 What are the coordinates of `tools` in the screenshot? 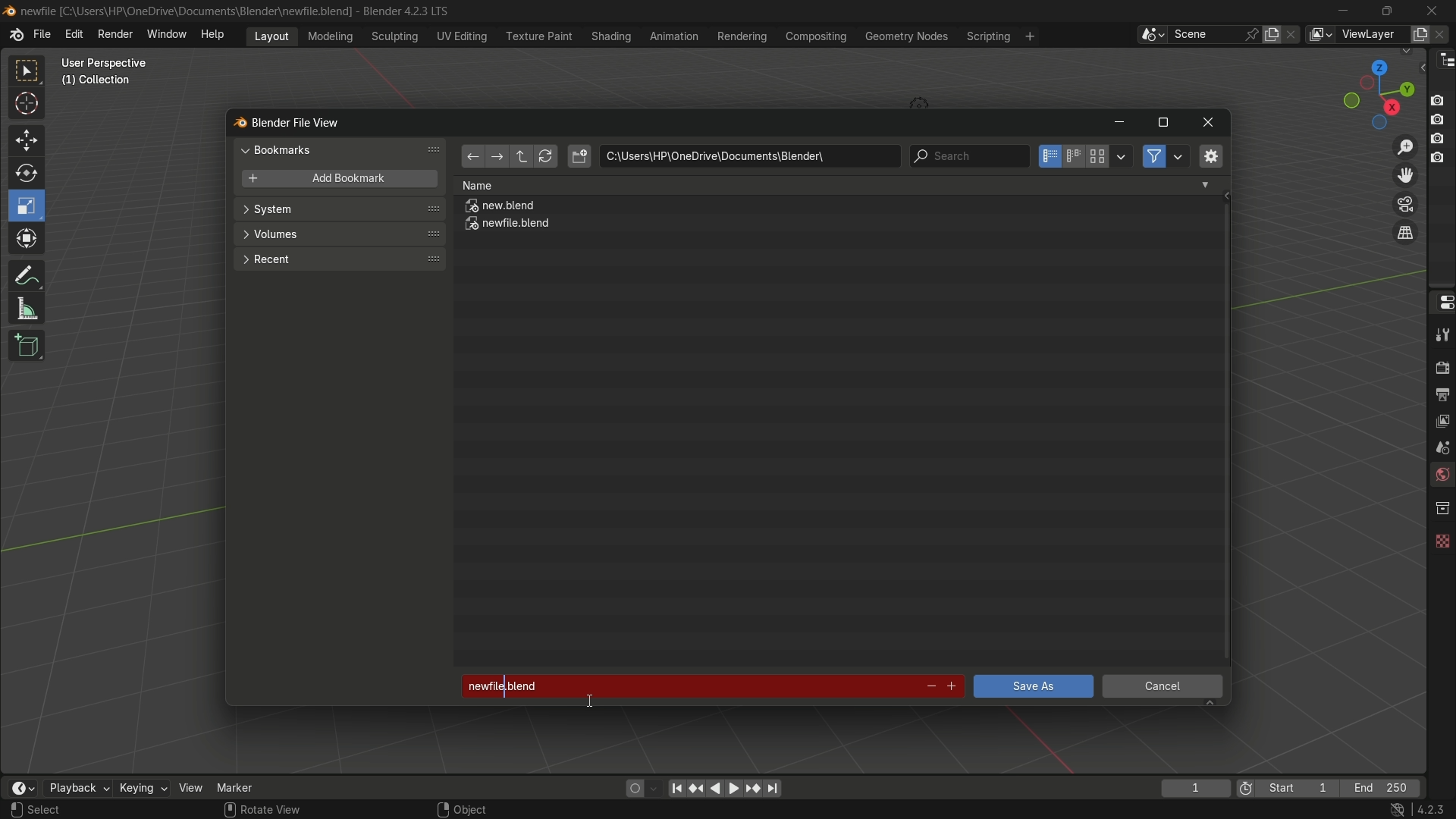 It's located at (1441, 334).